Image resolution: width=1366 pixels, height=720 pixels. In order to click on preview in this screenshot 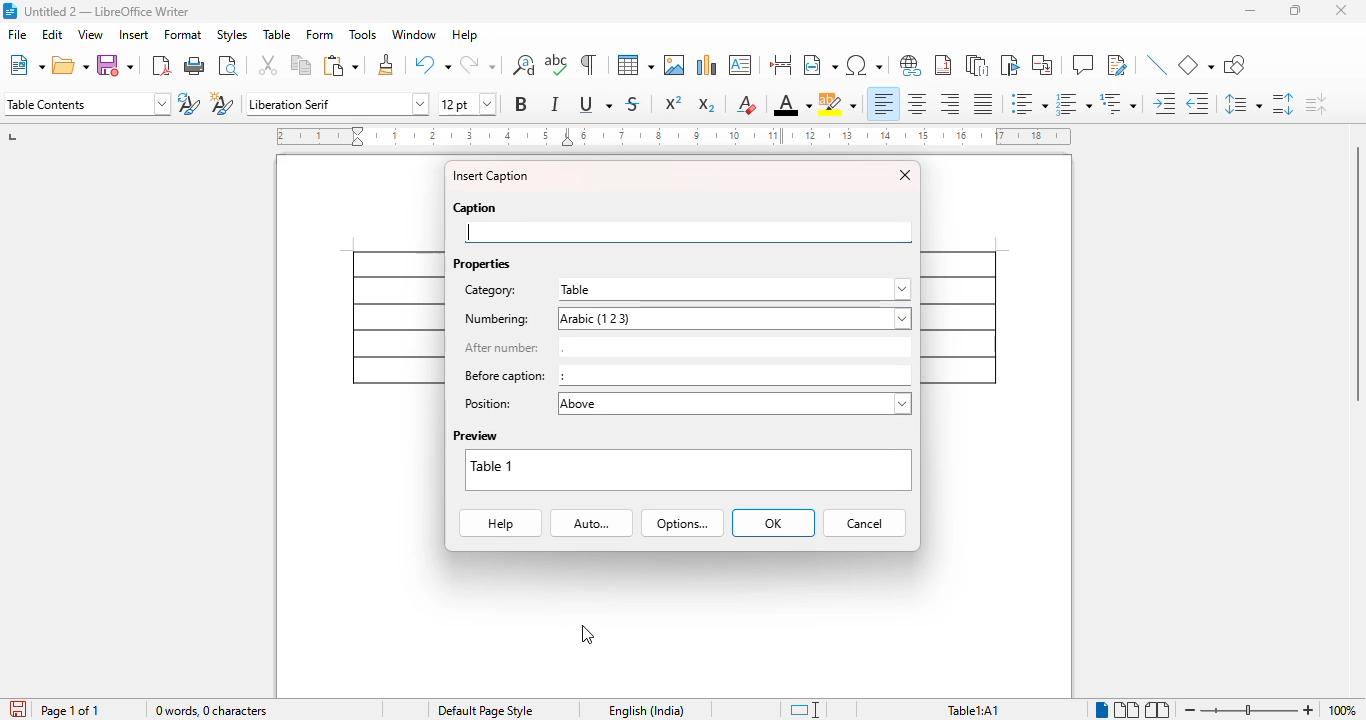, I will do `click(476, 436)`.